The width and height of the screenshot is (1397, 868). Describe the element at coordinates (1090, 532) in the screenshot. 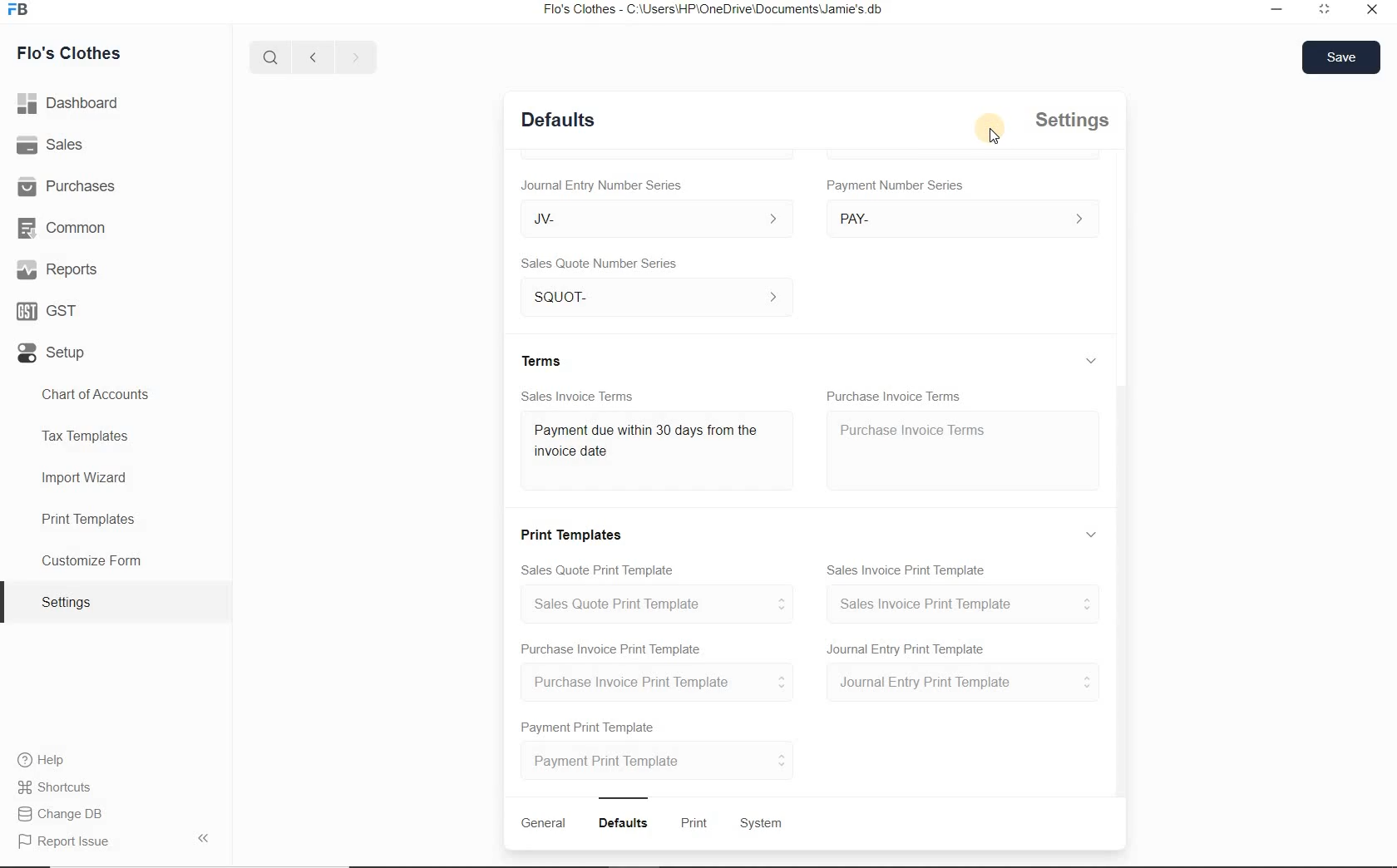

I see `Expand` at that location.